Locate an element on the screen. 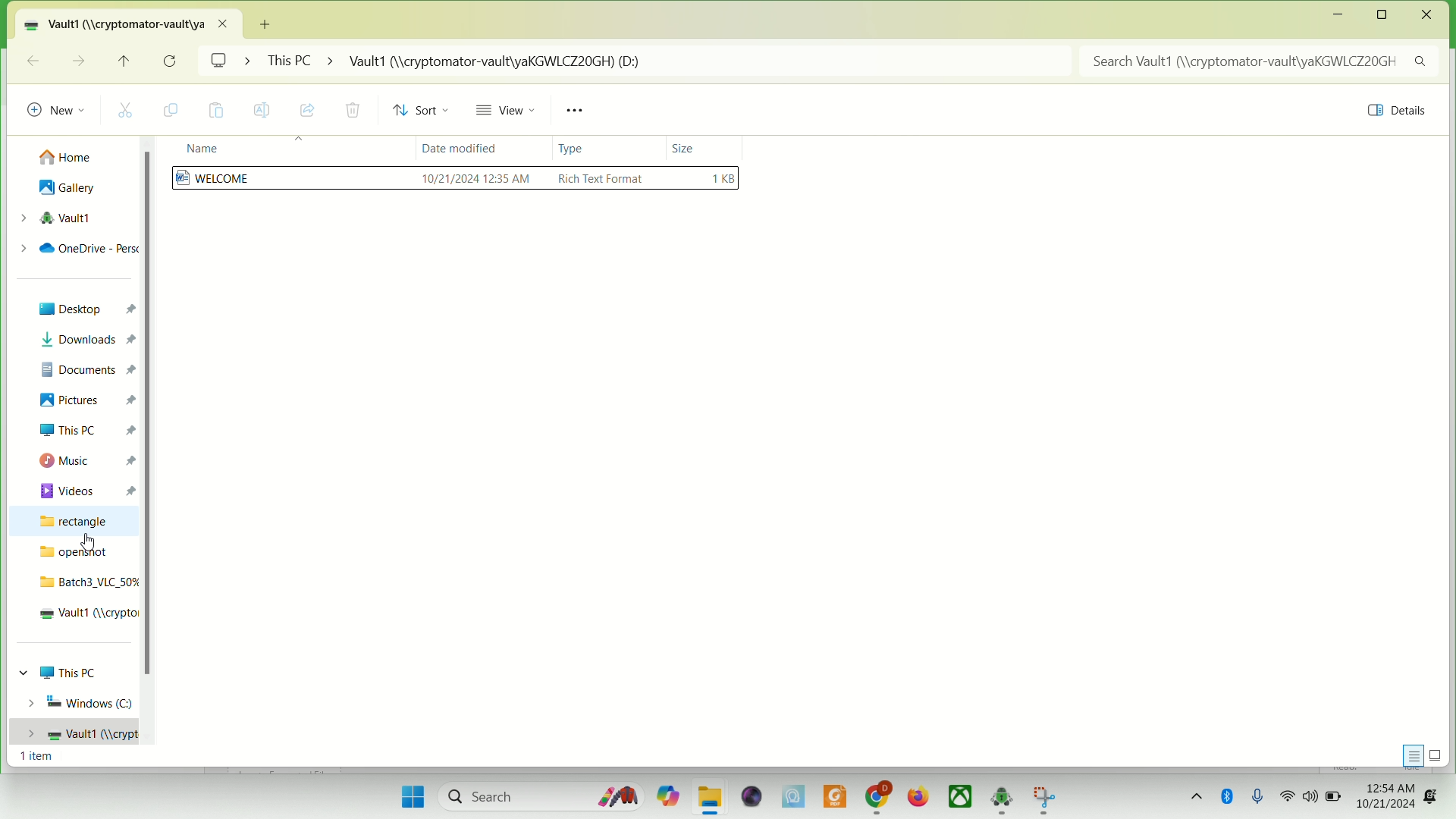  pictures is located at coordinates (86, 400).